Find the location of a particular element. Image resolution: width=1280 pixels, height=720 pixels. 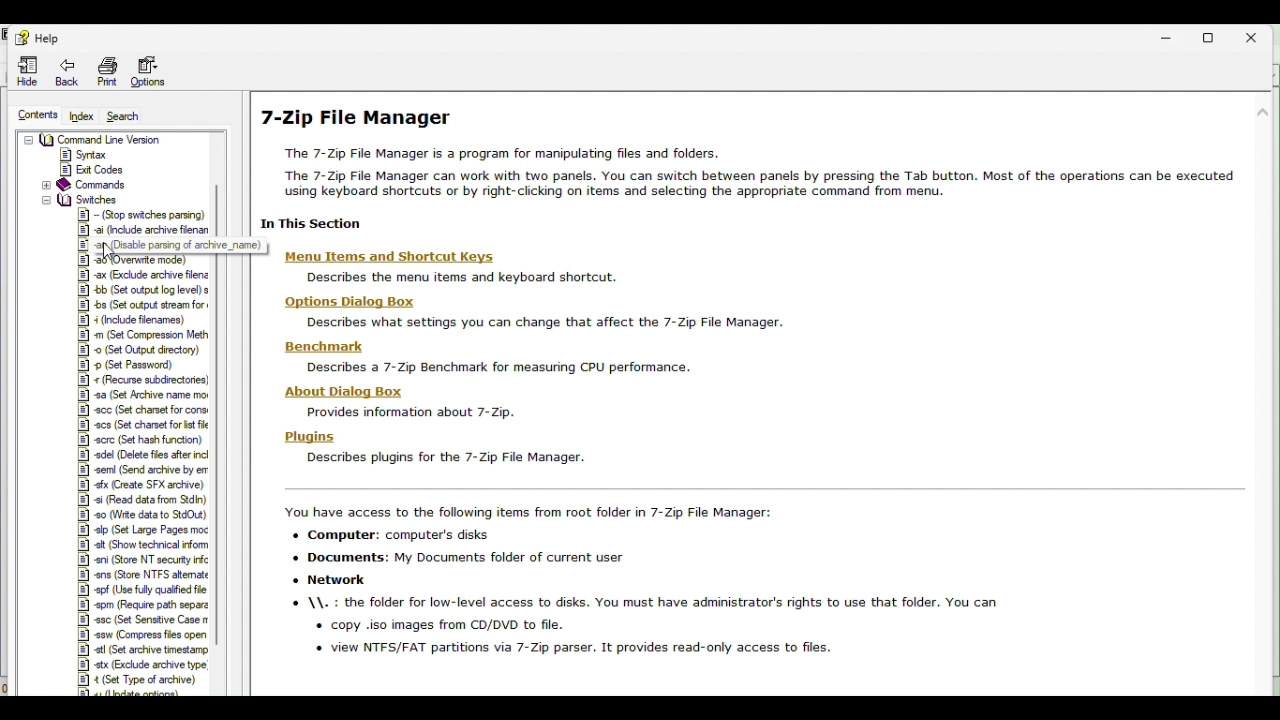

Search is located at coordinates (134, 116).